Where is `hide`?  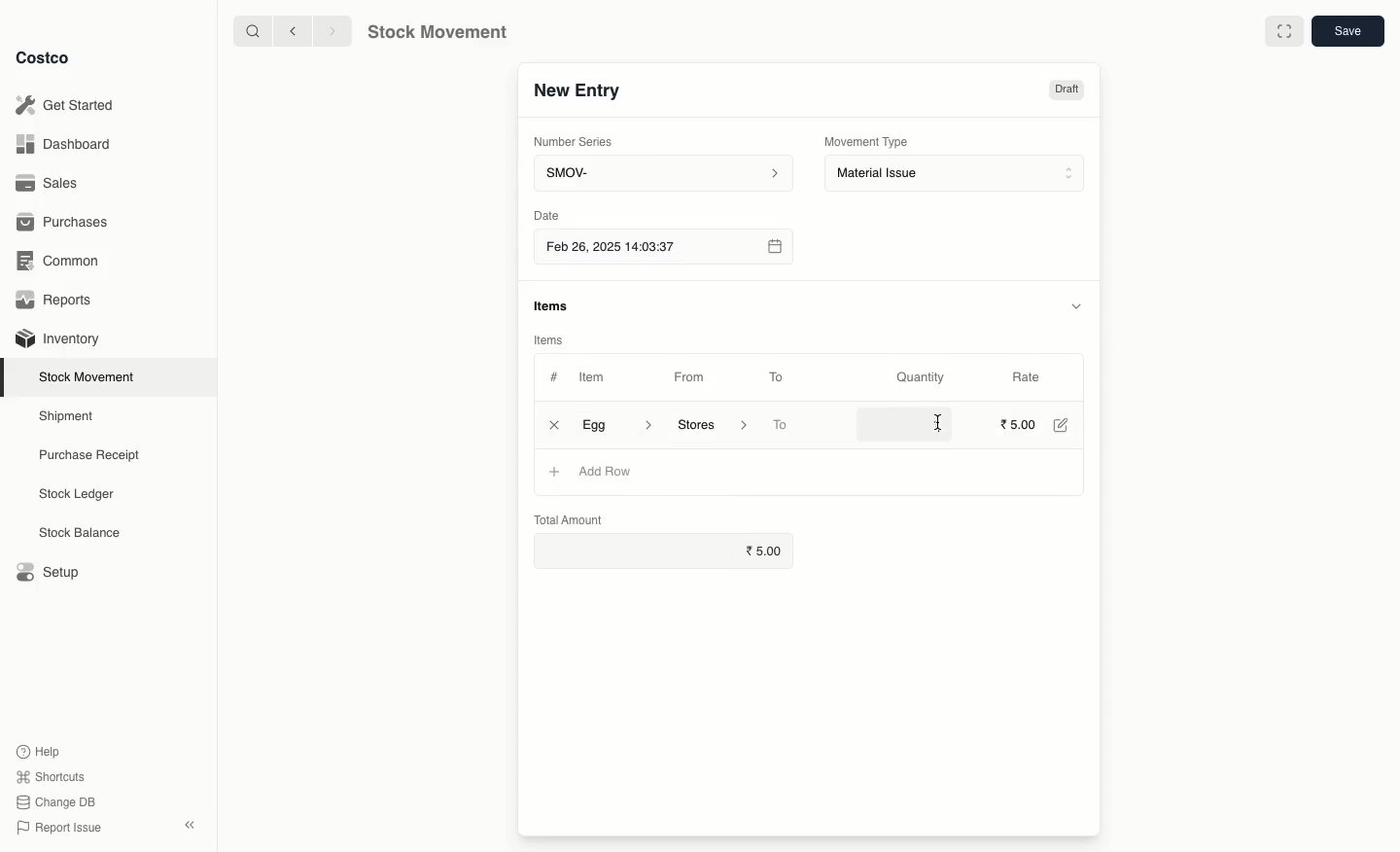
hide is located at coordinates (1079, 304).